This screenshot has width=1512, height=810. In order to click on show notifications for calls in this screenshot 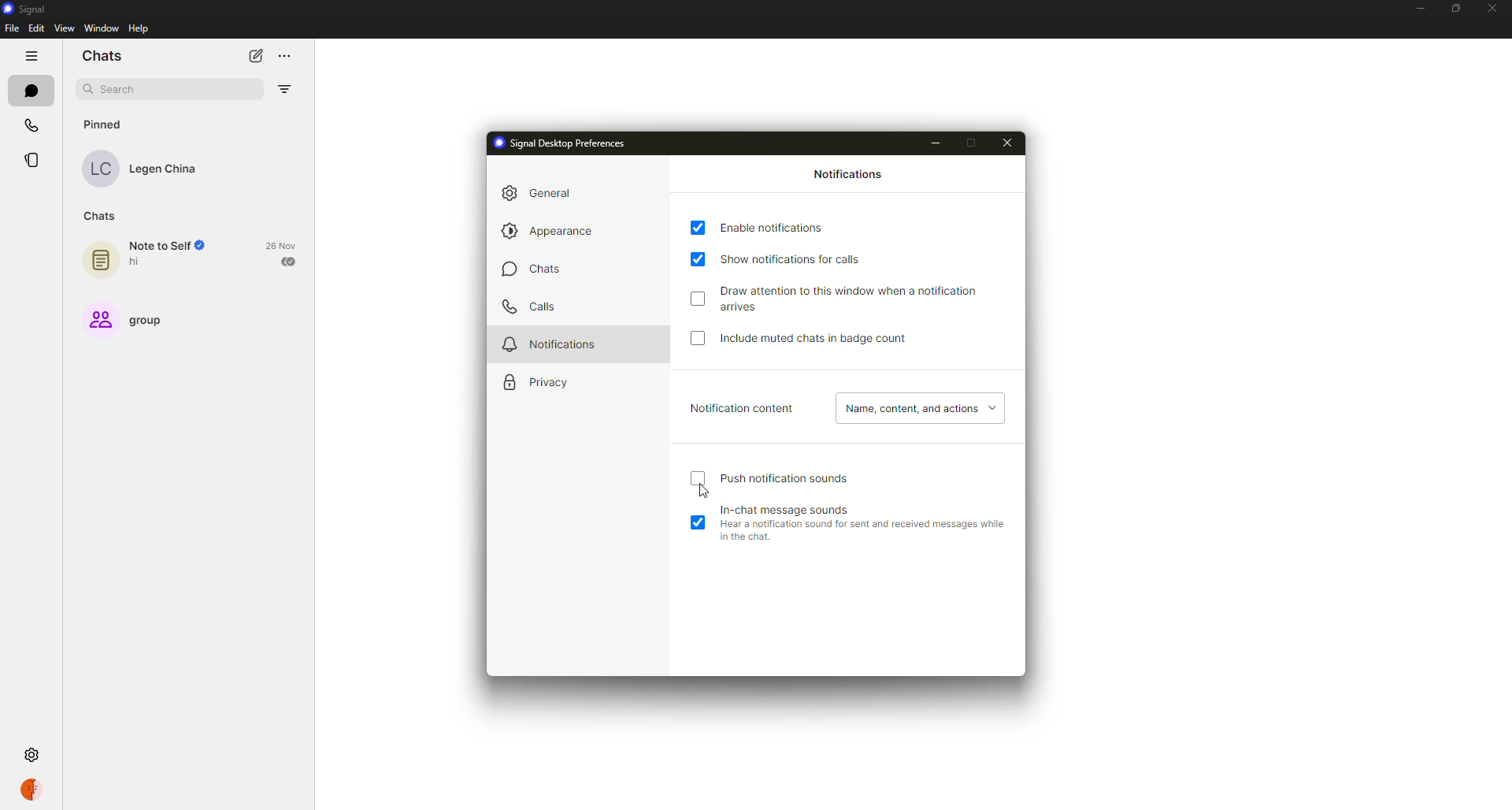, I will do `click(799, 258)`.